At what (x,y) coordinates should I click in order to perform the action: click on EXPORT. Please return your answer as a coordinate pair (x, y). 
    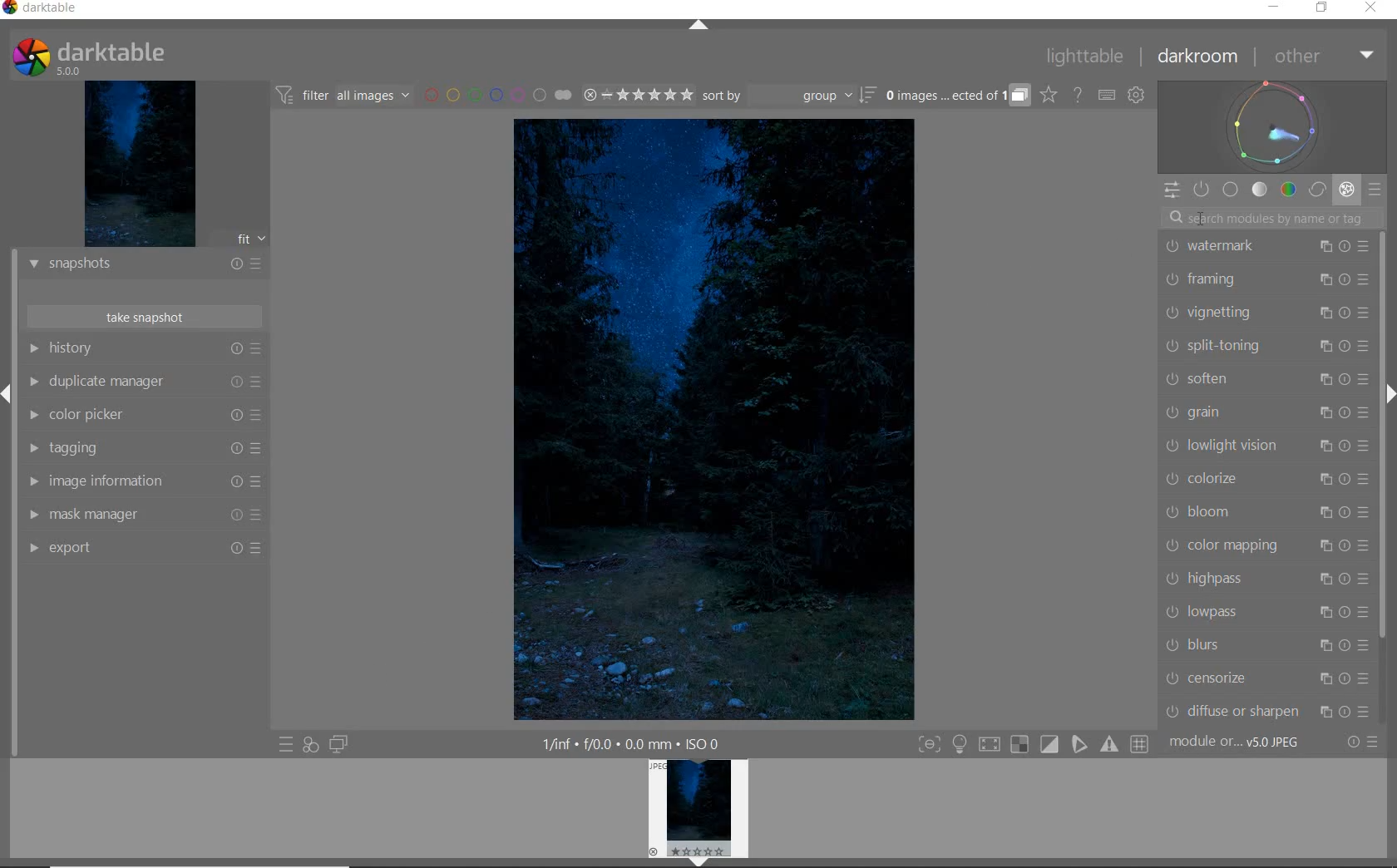
    Looking at the image, I should click on (144, 550).